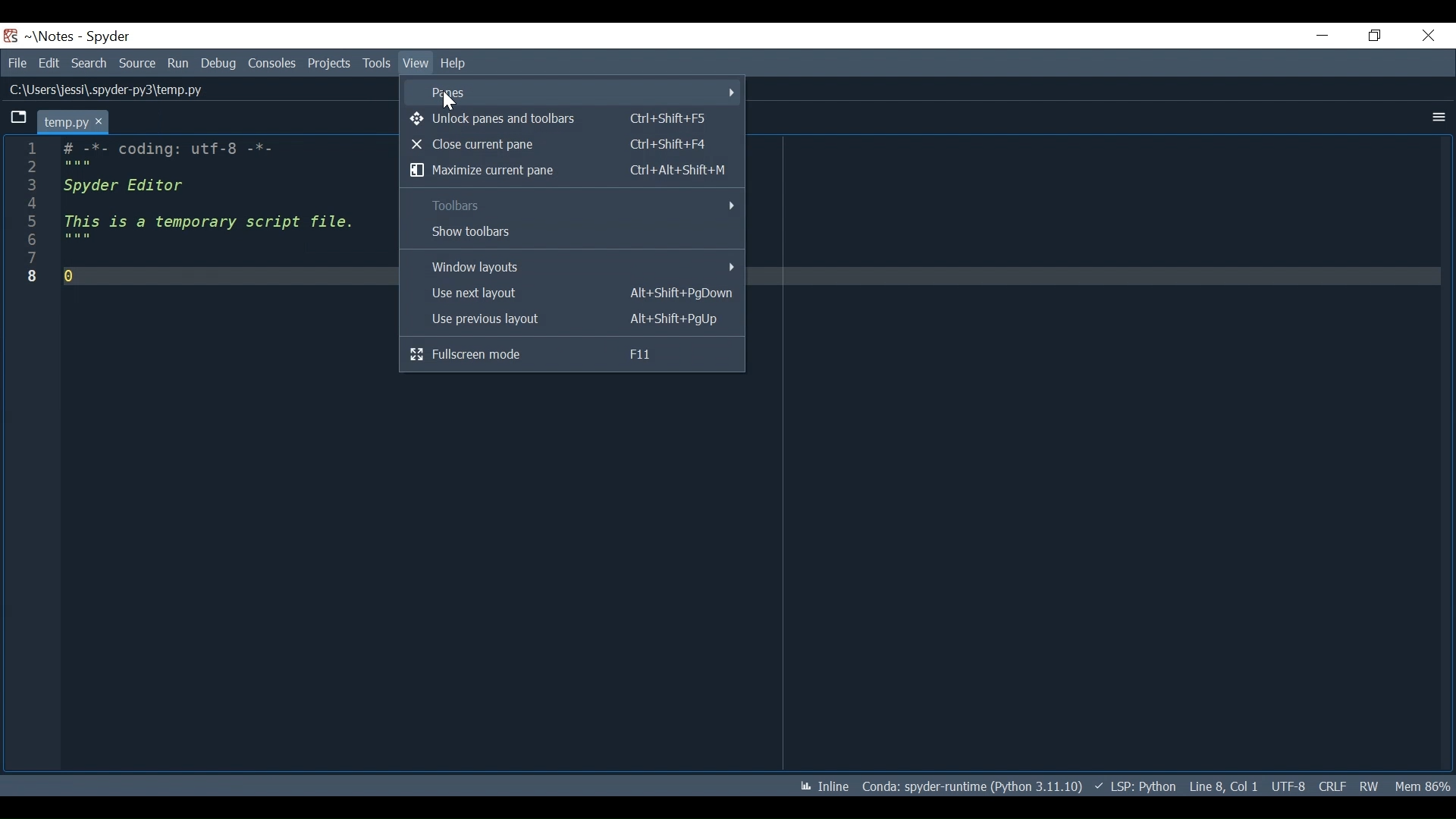 The width and height of the screenshot is (1456, 819). Describe the element at coordinates (574, 92) in the screenshot. I see `Panes` at that location.